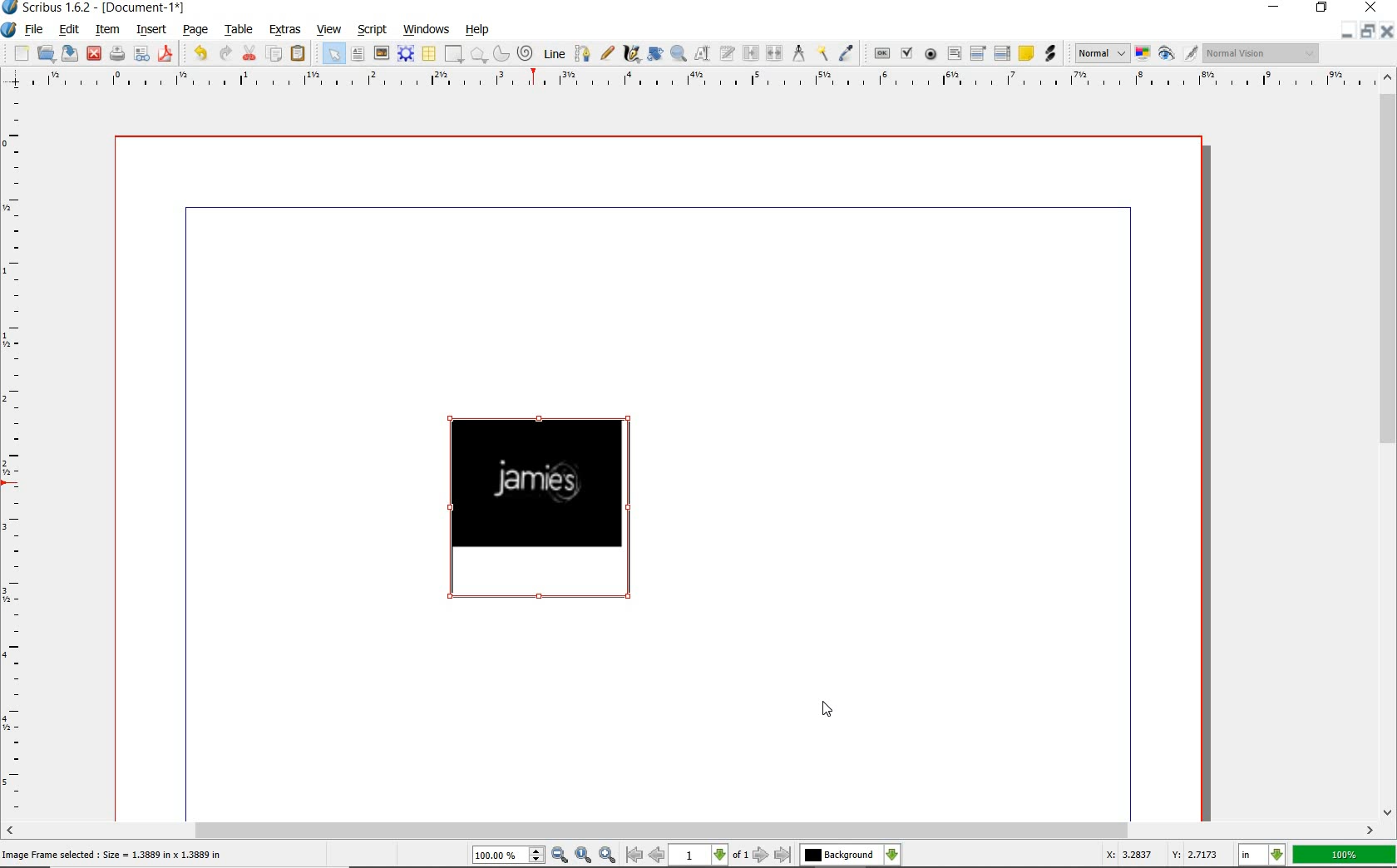  Describe the element at coordinates (71, 53) in the screenshot. I see `save` at that location.